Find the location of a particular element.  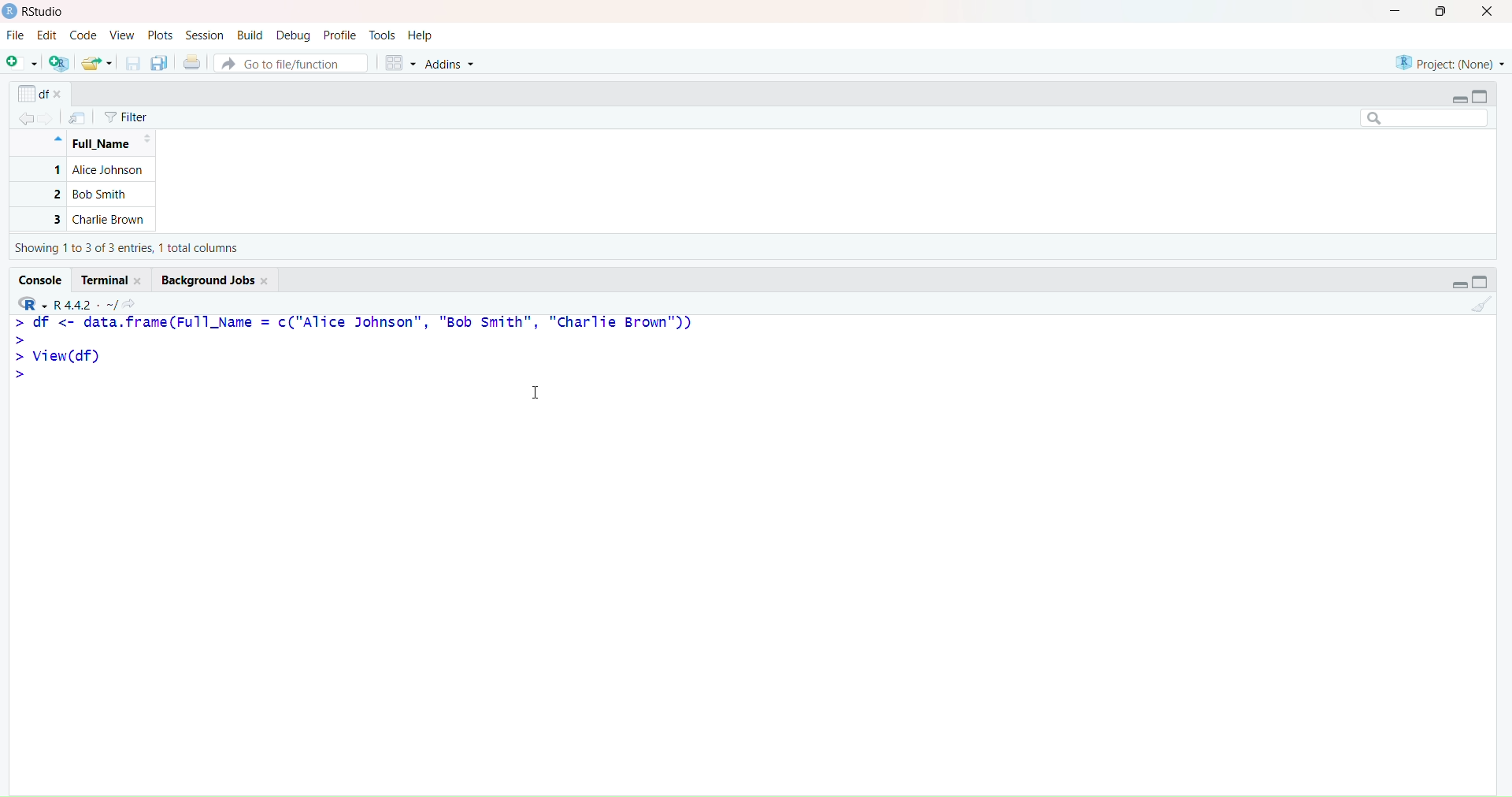

Maximize is located at coordinates (1485, 281).